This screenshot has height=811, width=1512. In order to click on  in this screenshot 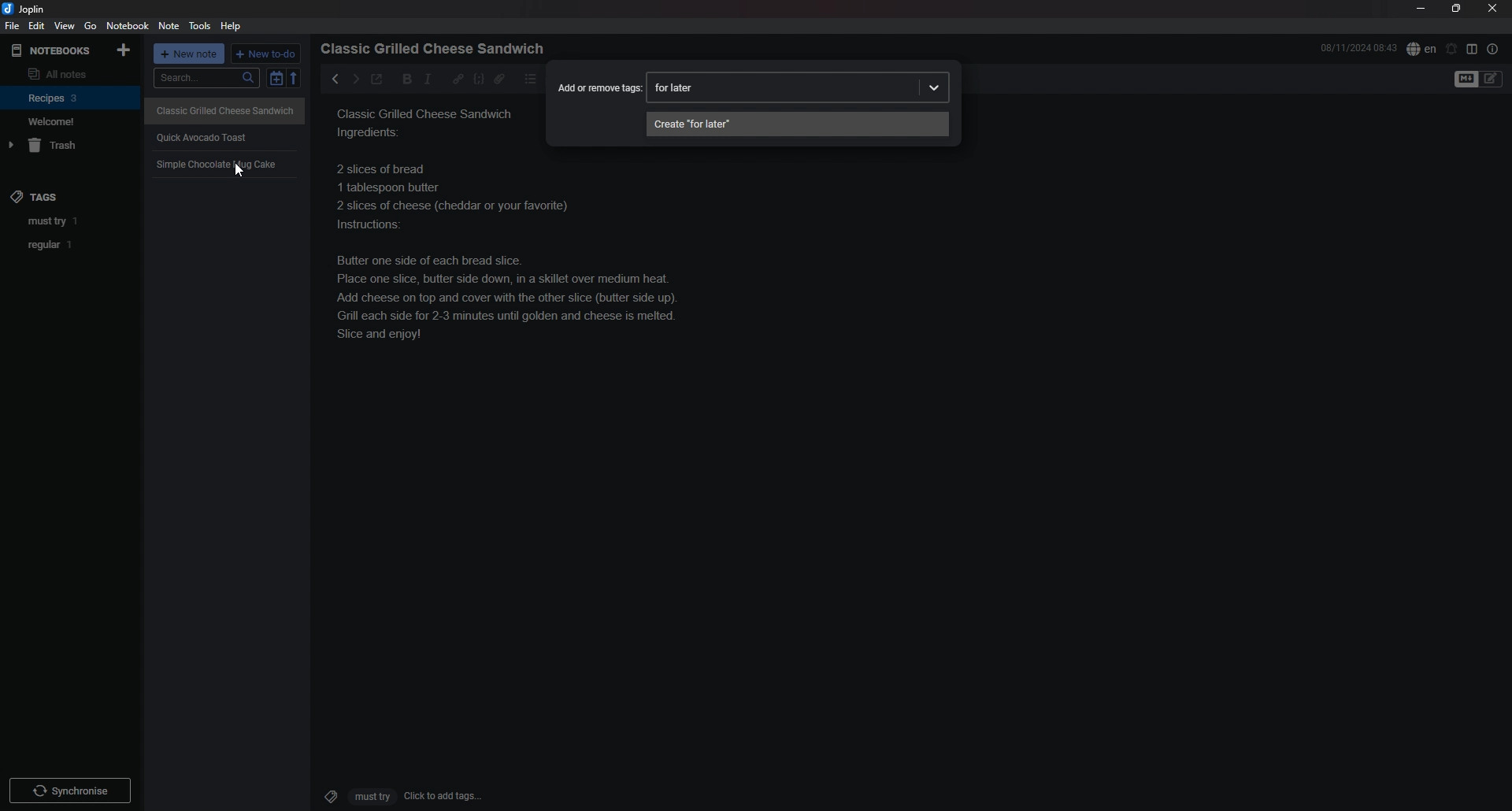, I will do `click(70, 787)`.